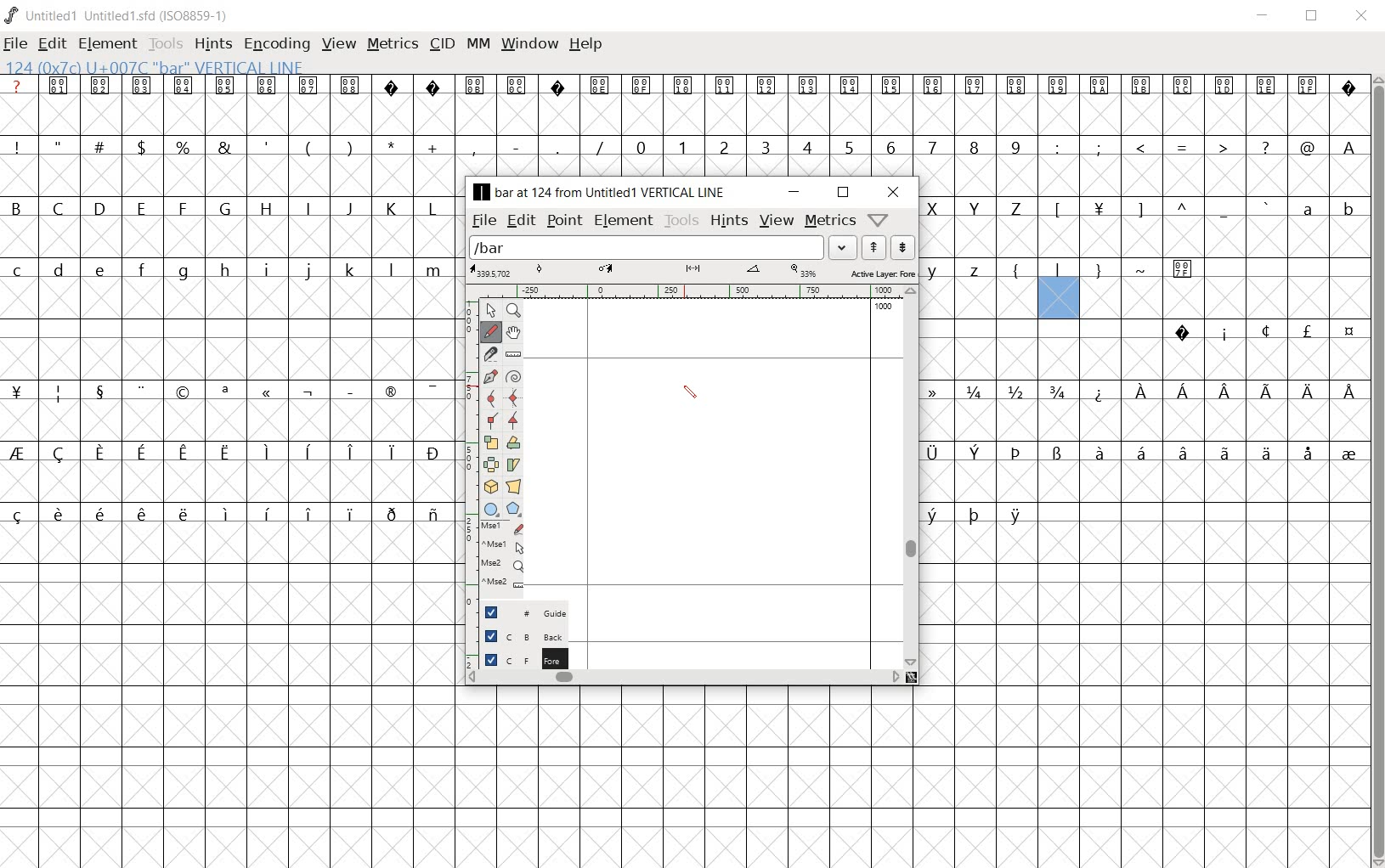 This screenshot has height=868, width=1385. I want to click on mse1, so click(500, 546).